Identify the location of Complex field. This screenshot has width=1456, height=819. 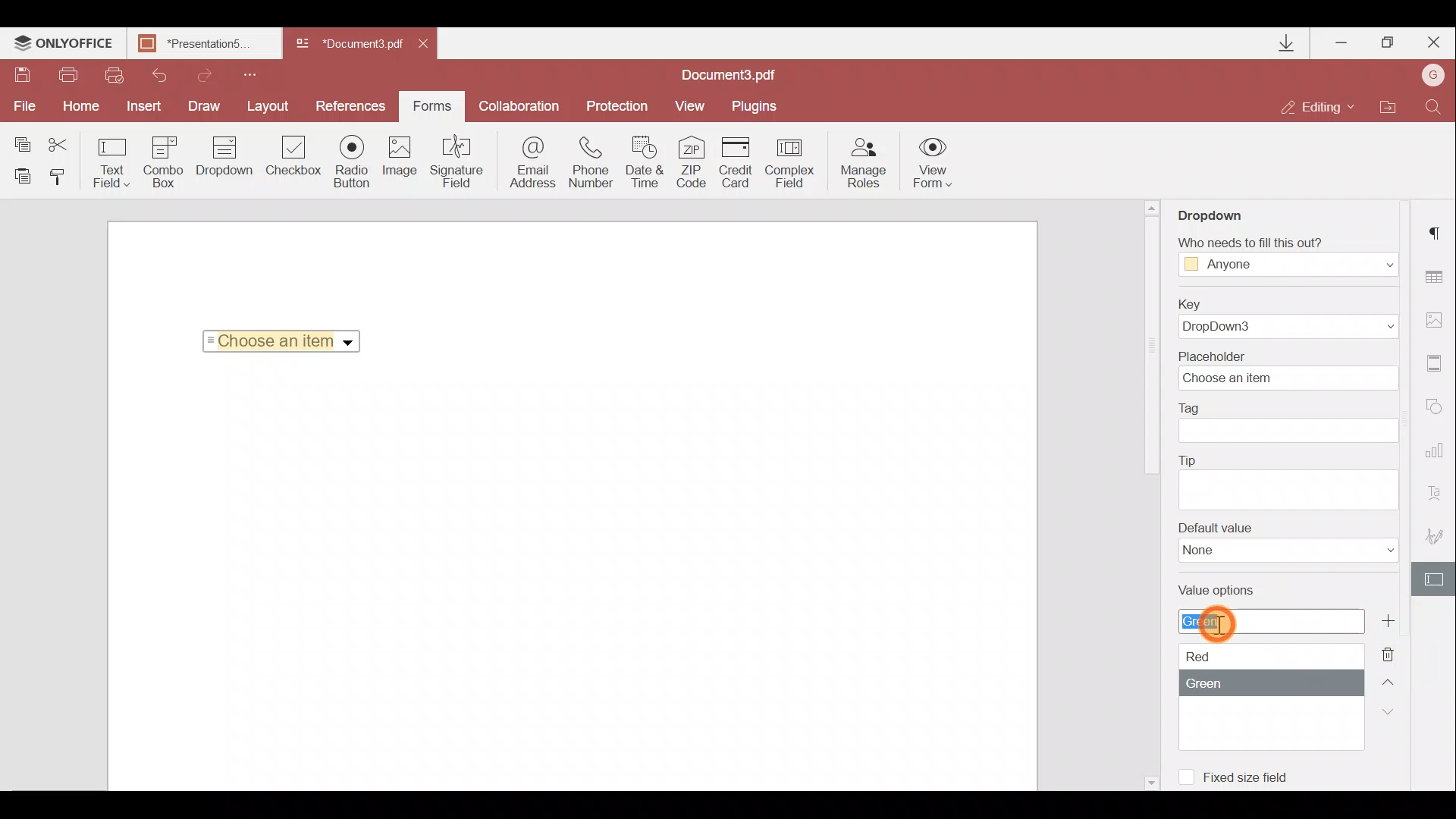
(791, 162).